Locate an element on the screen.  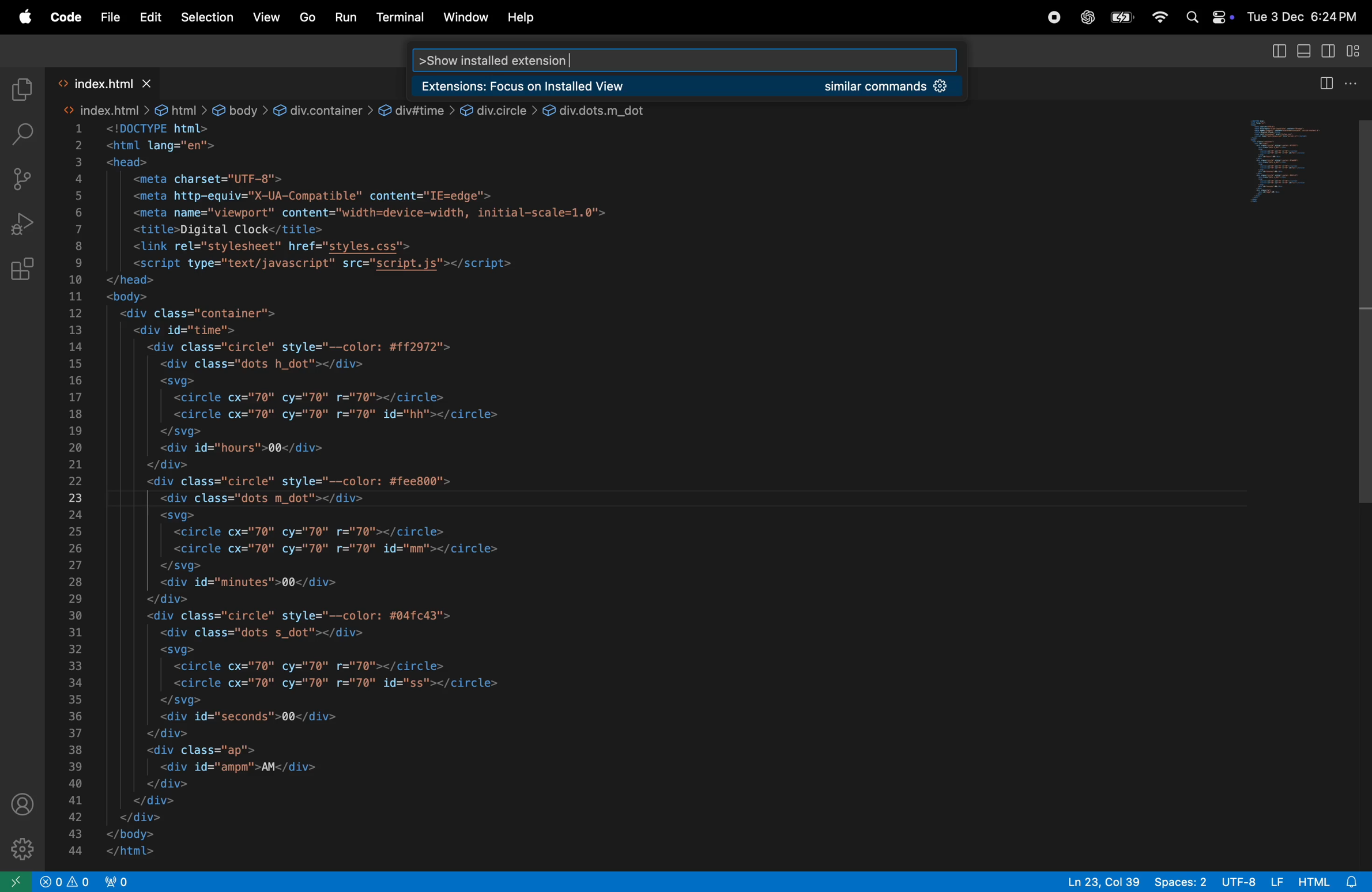
apple widgets is located at coordinates (1206, 16).